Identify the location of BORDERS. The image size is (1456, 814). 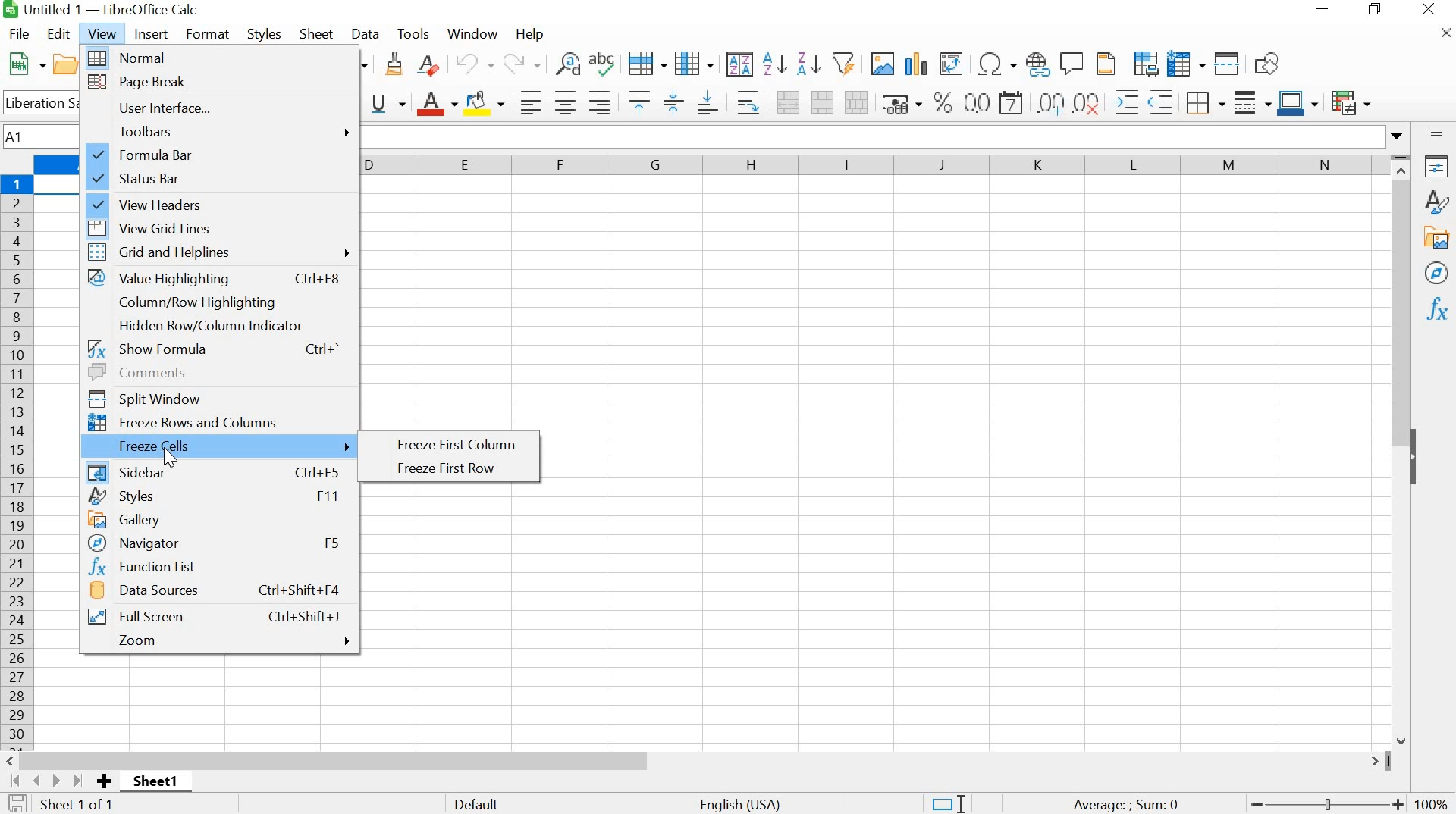
(1203, 104).